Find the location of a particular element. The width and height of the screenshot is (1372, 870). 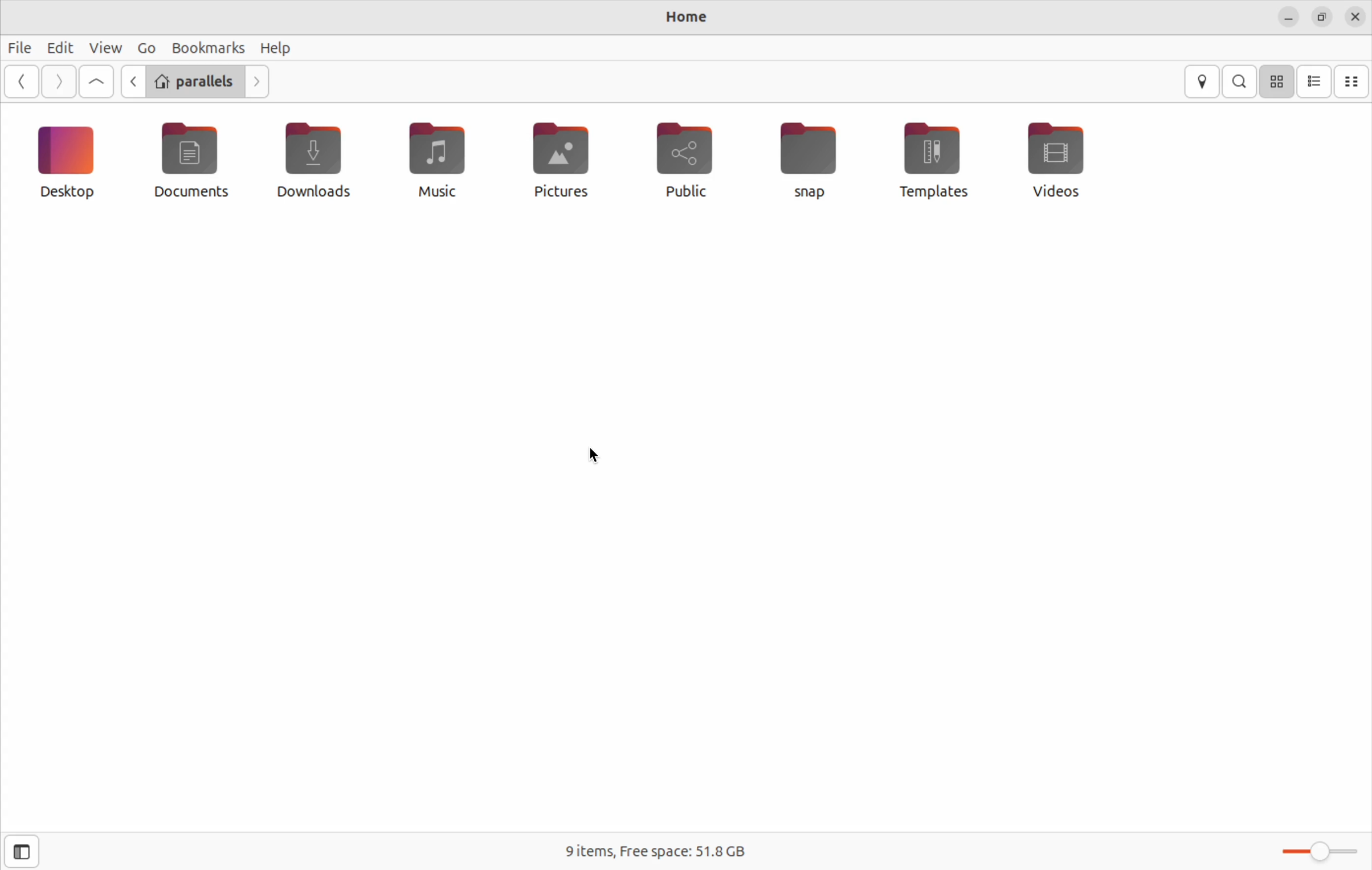

toggle zoom is located at coordinates (1312, 852).